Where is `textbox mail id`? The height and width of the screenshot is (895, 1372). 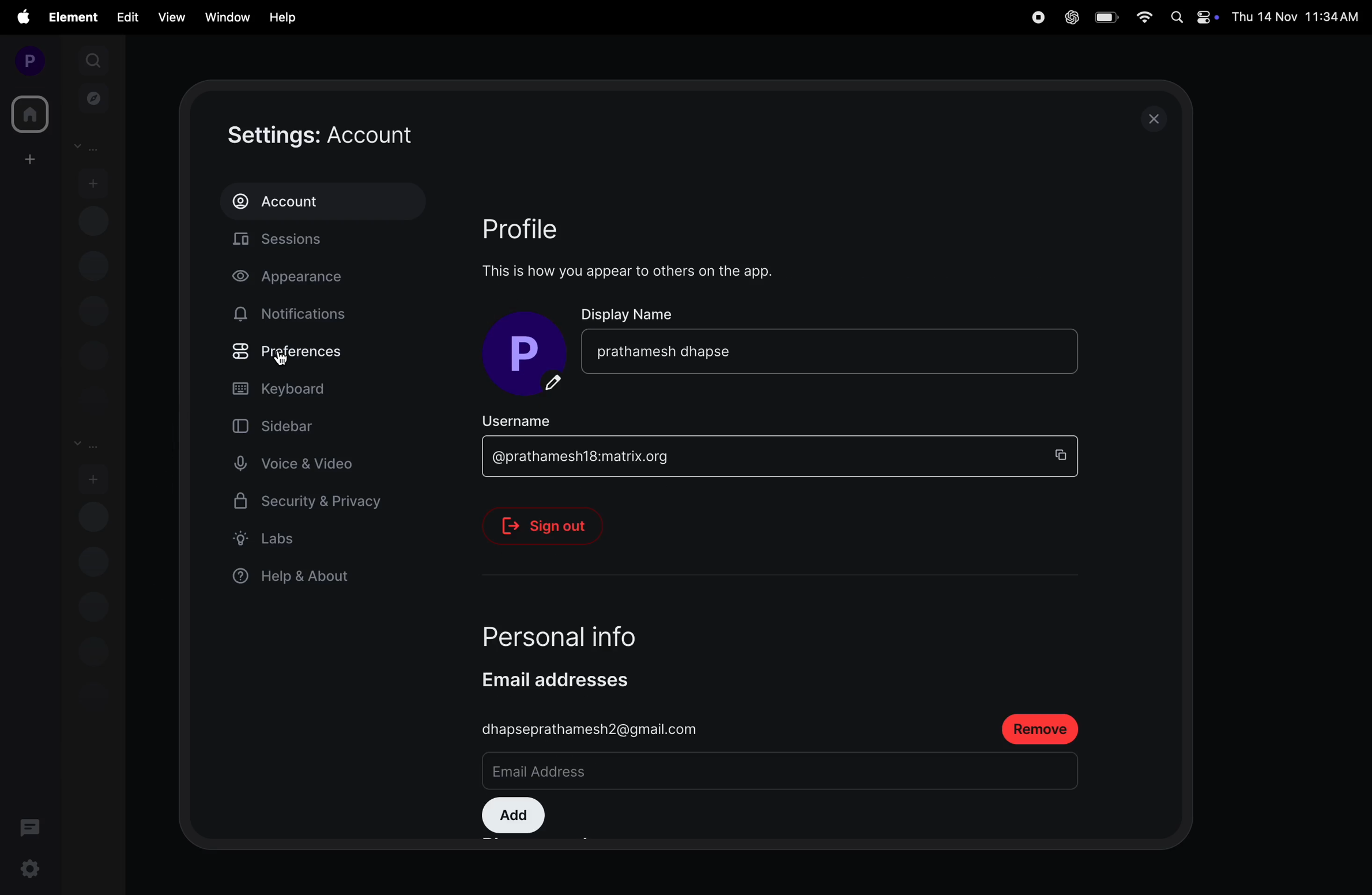 textbox mail id is located at coordinates (779, 769).